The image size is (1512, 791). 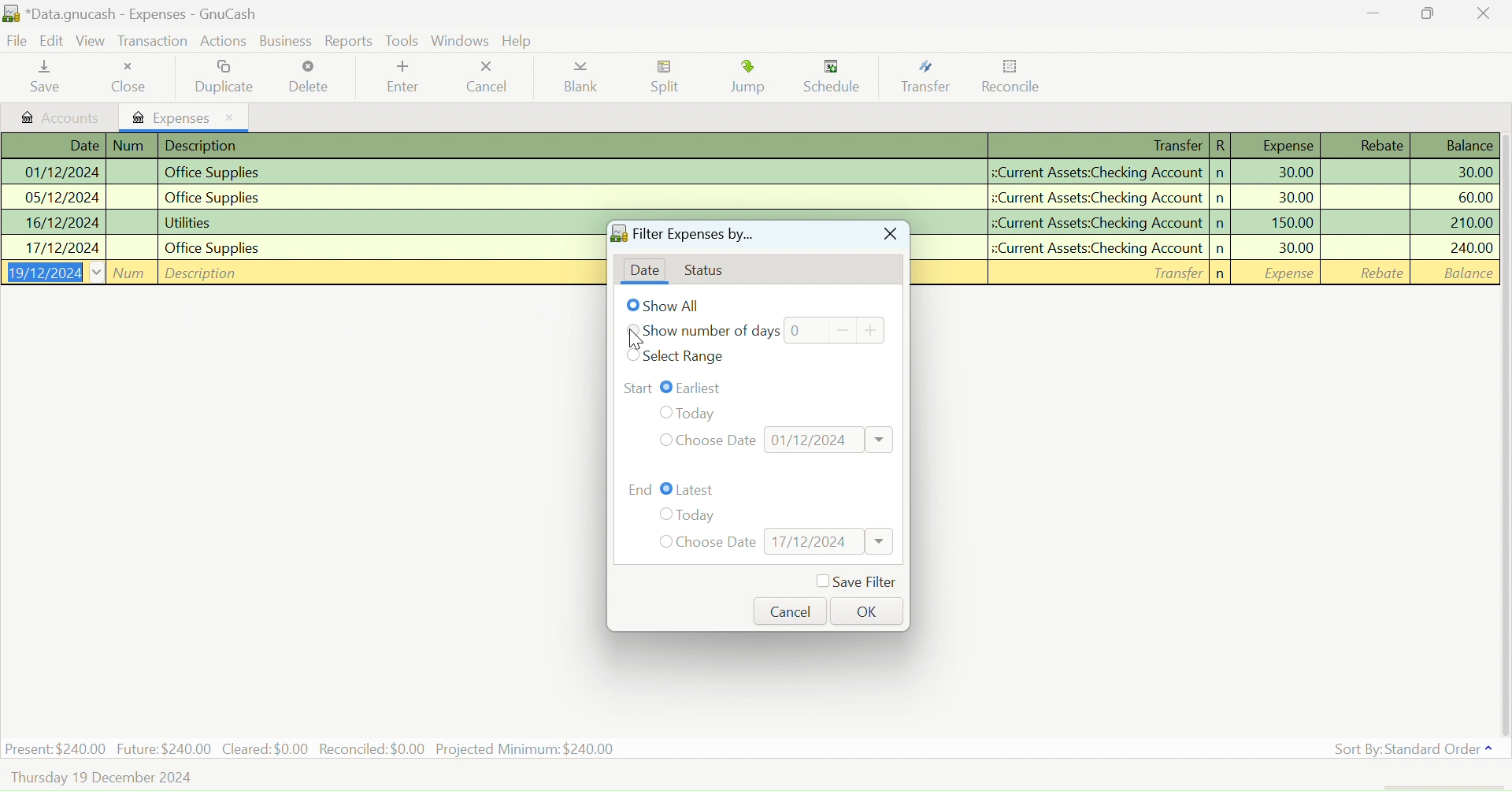 I want to click on Expenses, so click(x=186, y=117).